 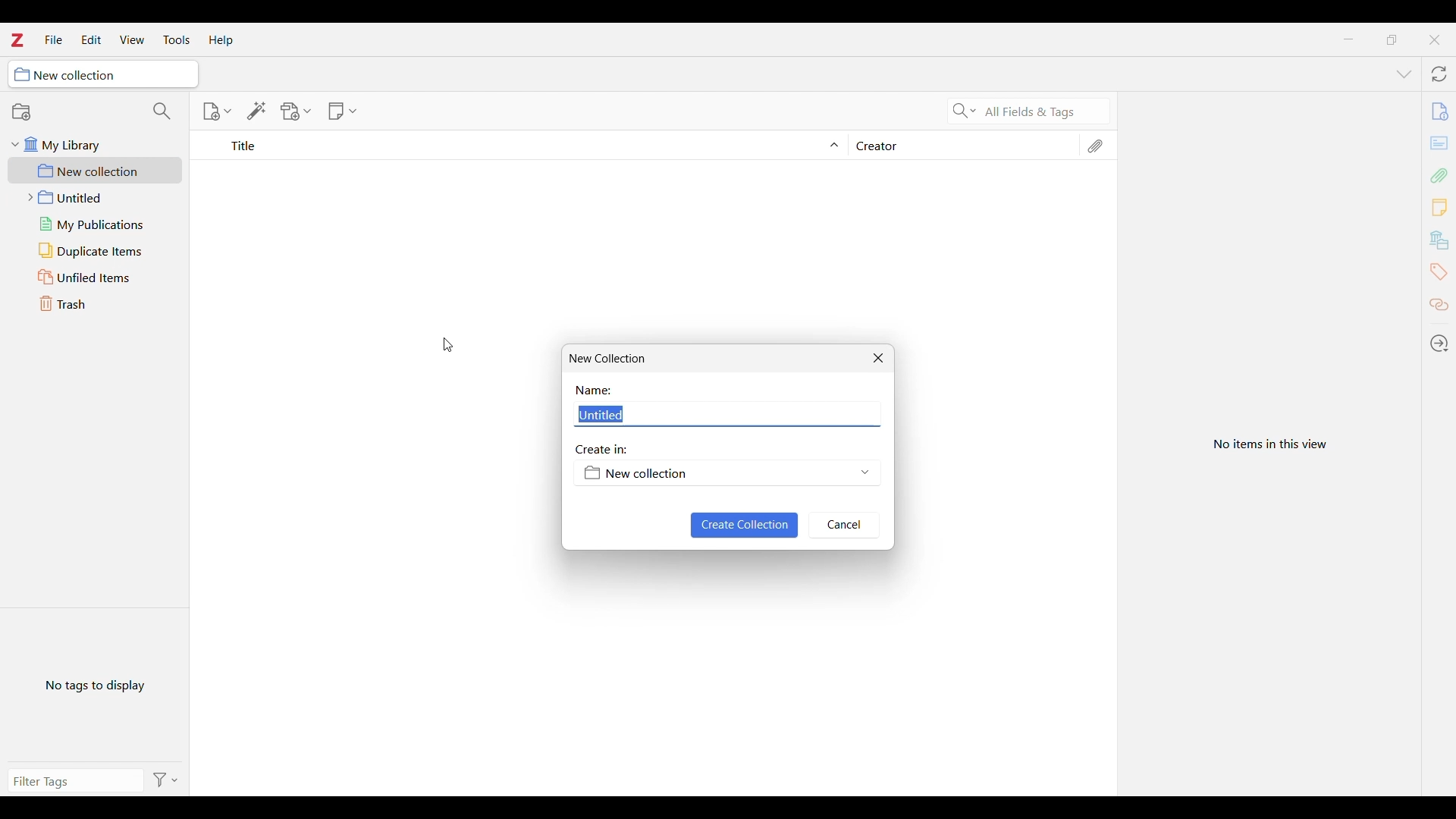 What do you see at coordinates (1348, 39) in the screenshot?
I see `Minimize` at bounding box center [1348, 39].